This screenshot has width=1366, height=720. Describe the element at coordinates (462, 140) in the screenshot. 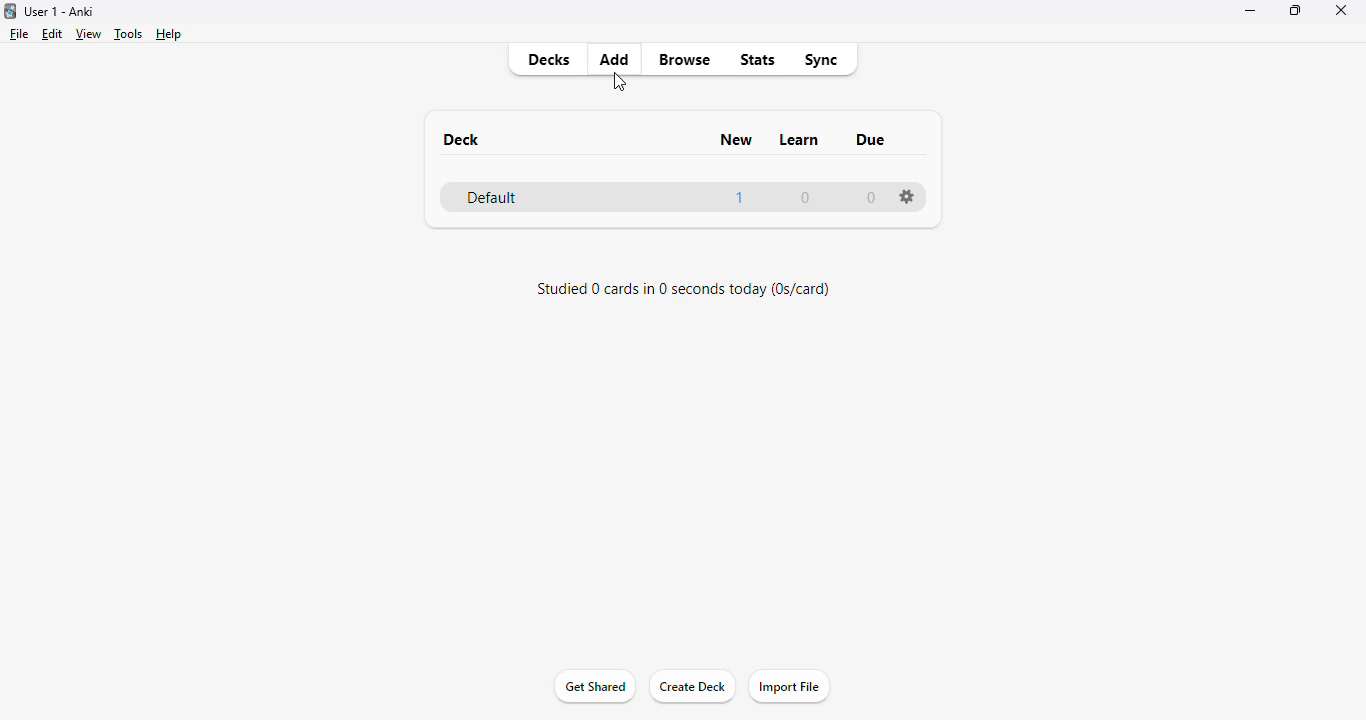

I see `deck` at that location.